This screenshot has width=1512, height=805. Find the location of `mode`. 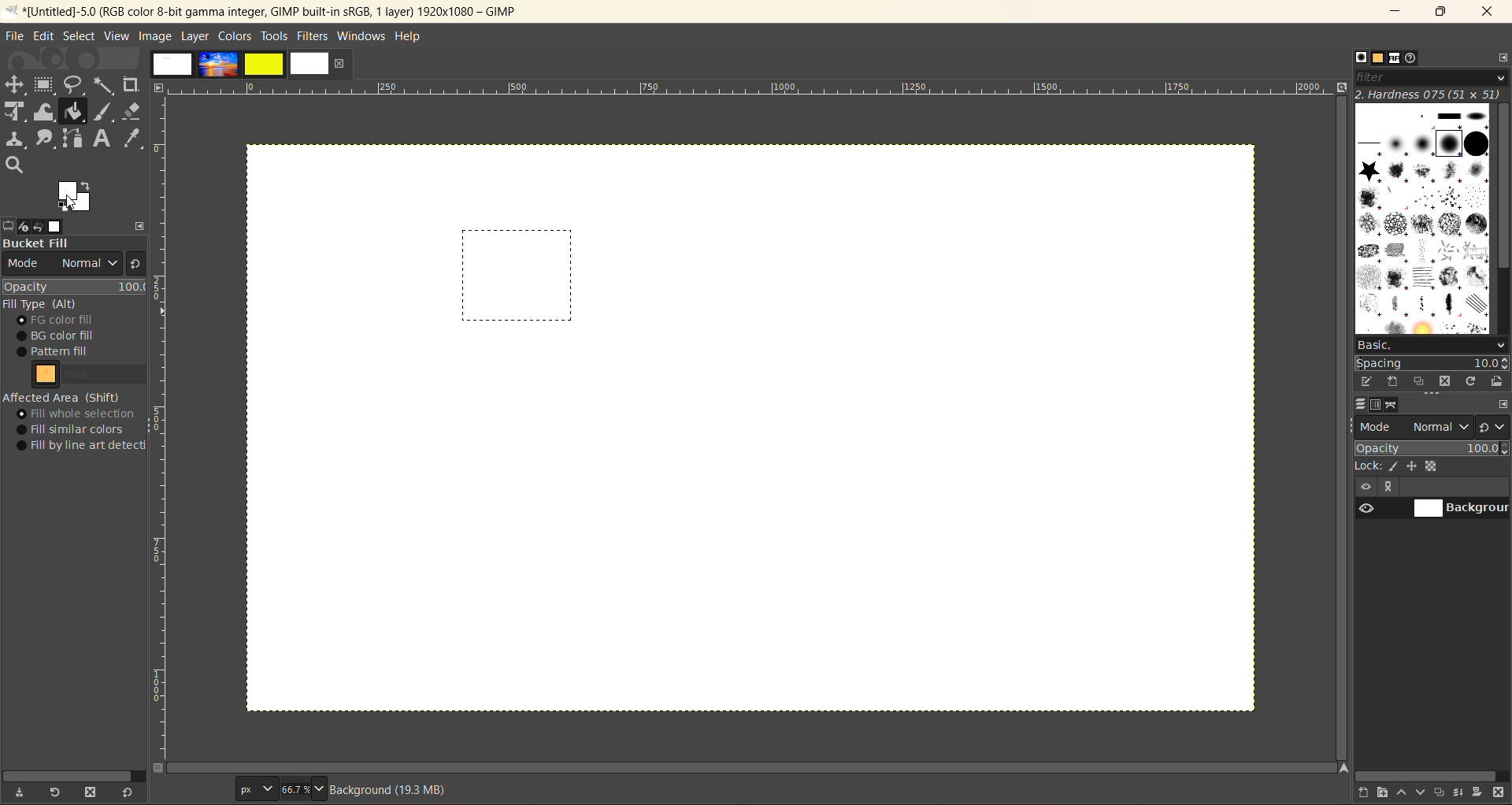

mode is located at coordinates (1415, 427).